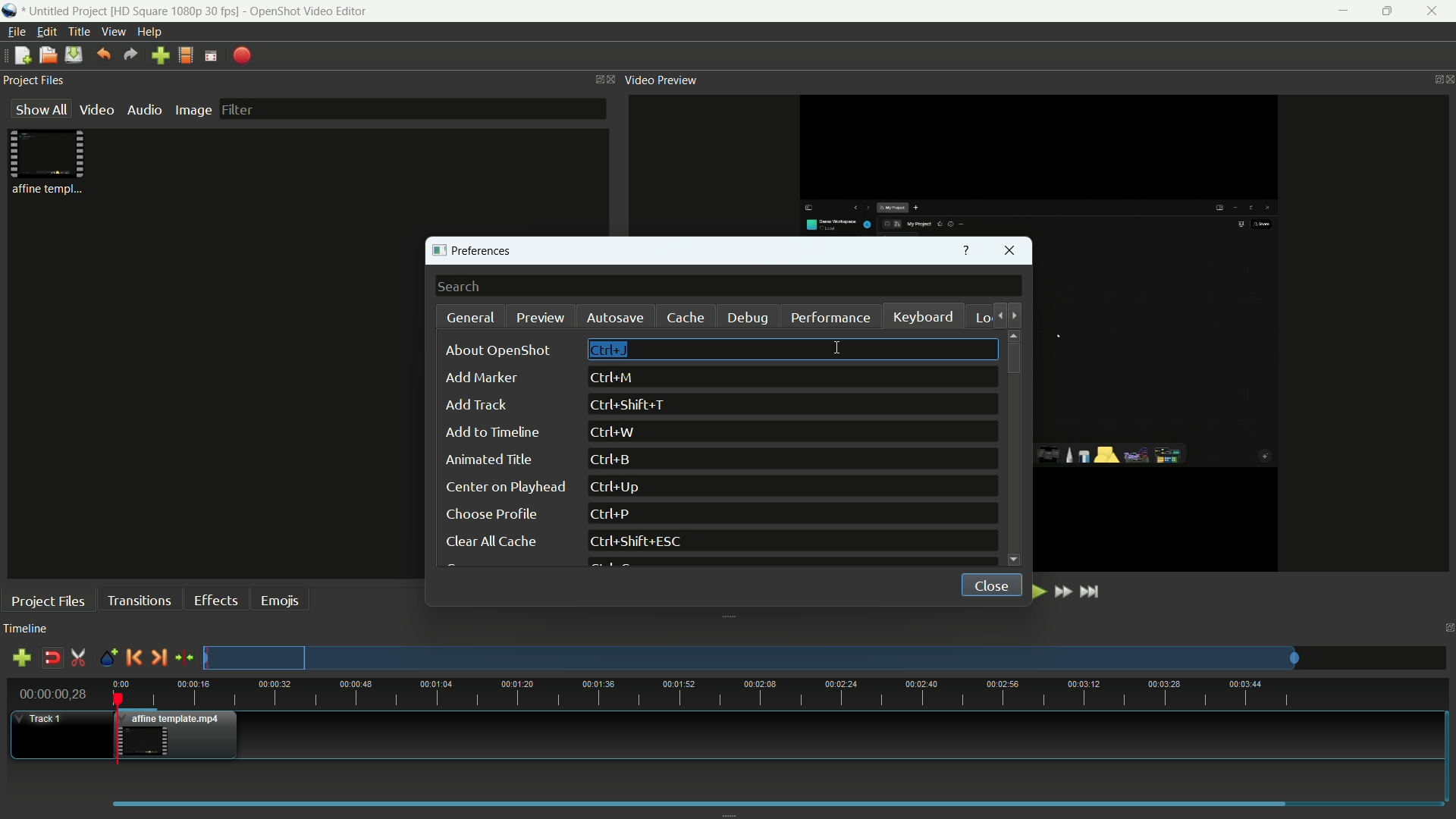 The image size is (1456, 819). I want to click on clear all cache, so click(489, 543).